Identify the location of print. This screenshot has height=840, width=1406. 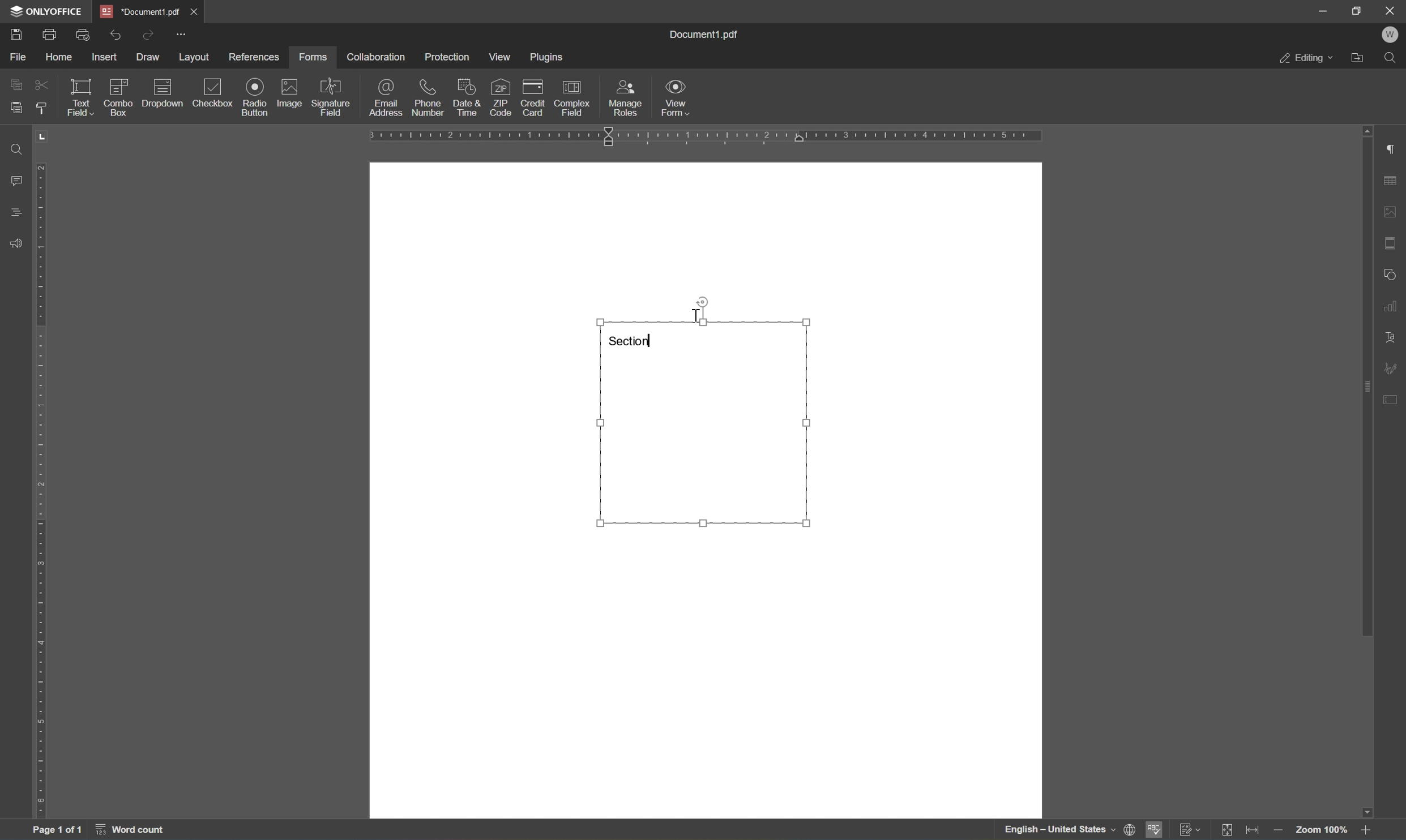
(49, 33).